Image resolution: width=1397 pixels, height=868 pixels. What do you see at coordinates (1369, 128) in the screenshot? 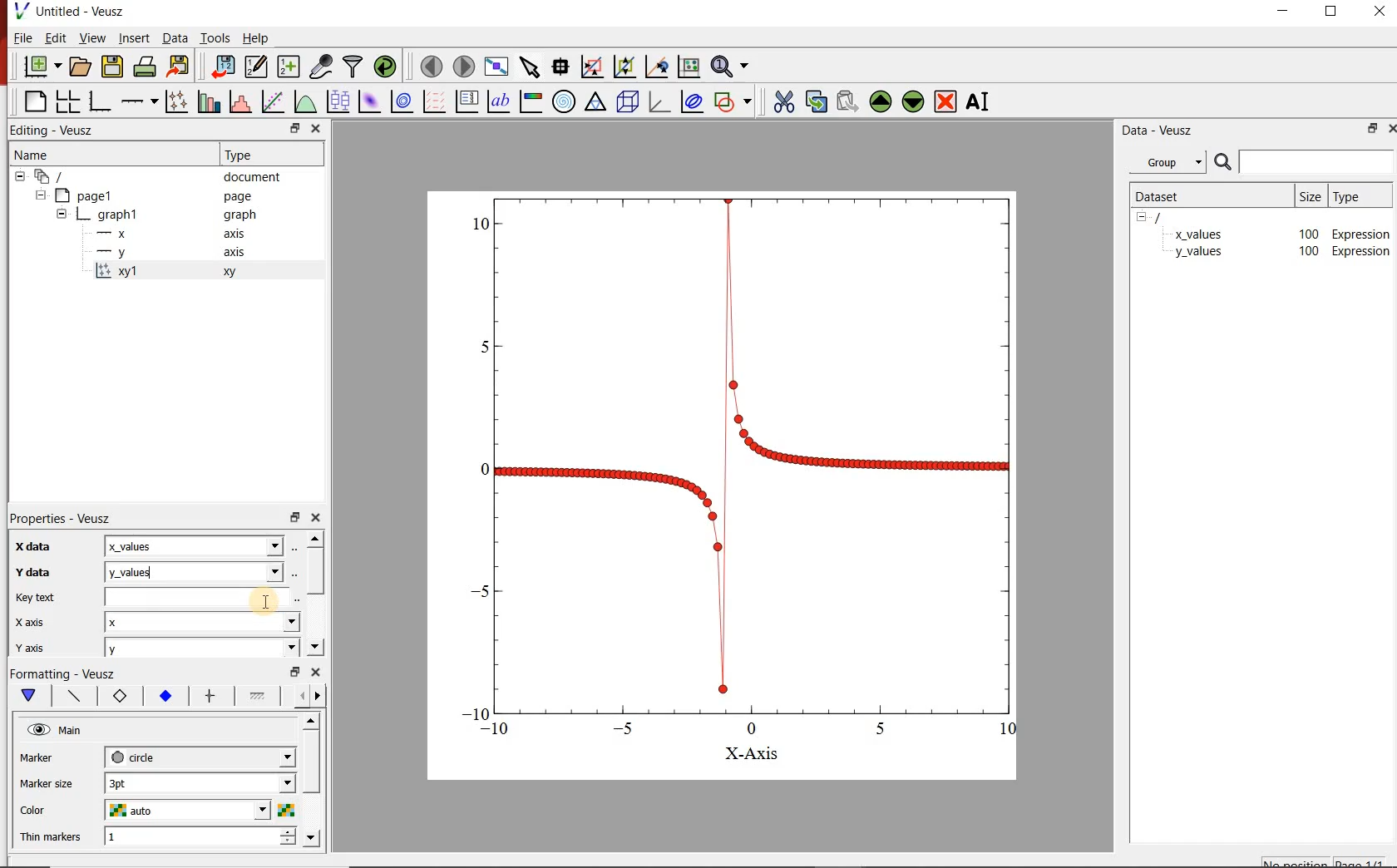
I see `restore down` at bounding box center [1369, 128].